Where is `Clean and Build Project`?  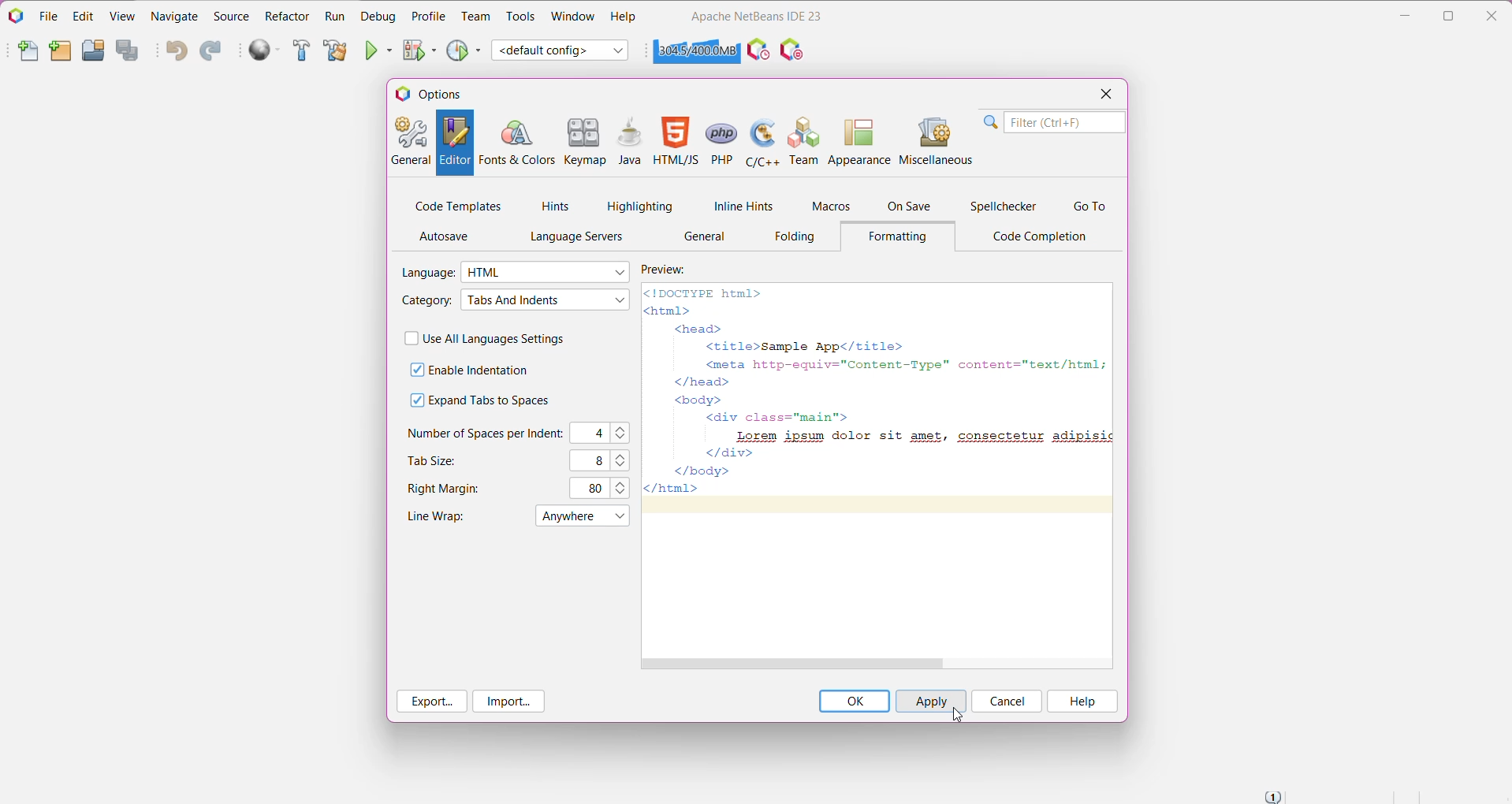 Clean and Build Project is located at coordinates (334, 51).